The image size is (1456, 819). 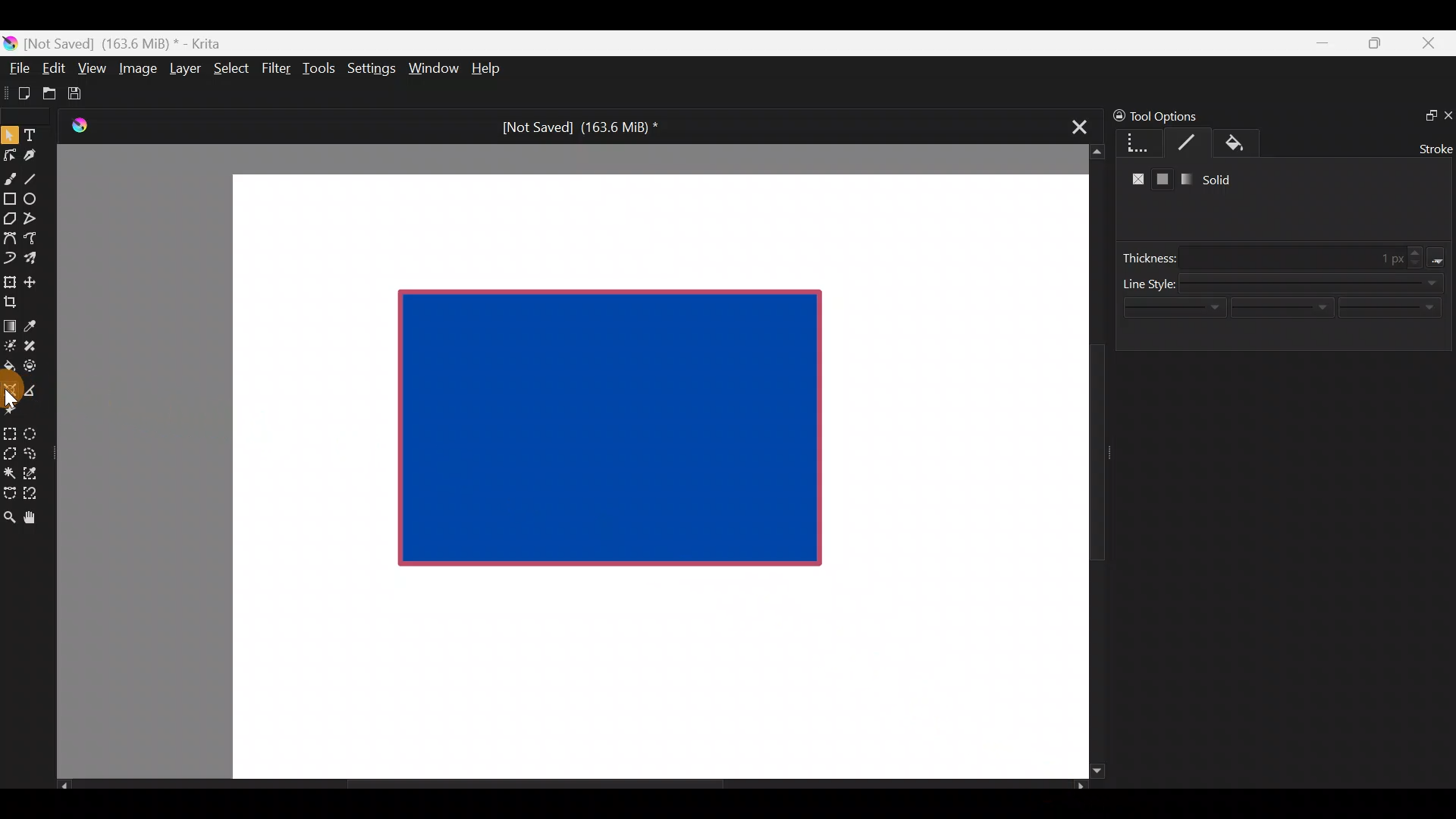 What do you see at coordinates (35, 345) in the screenshot?
I see `Smart patch tool` at bounding box center [35, 345].